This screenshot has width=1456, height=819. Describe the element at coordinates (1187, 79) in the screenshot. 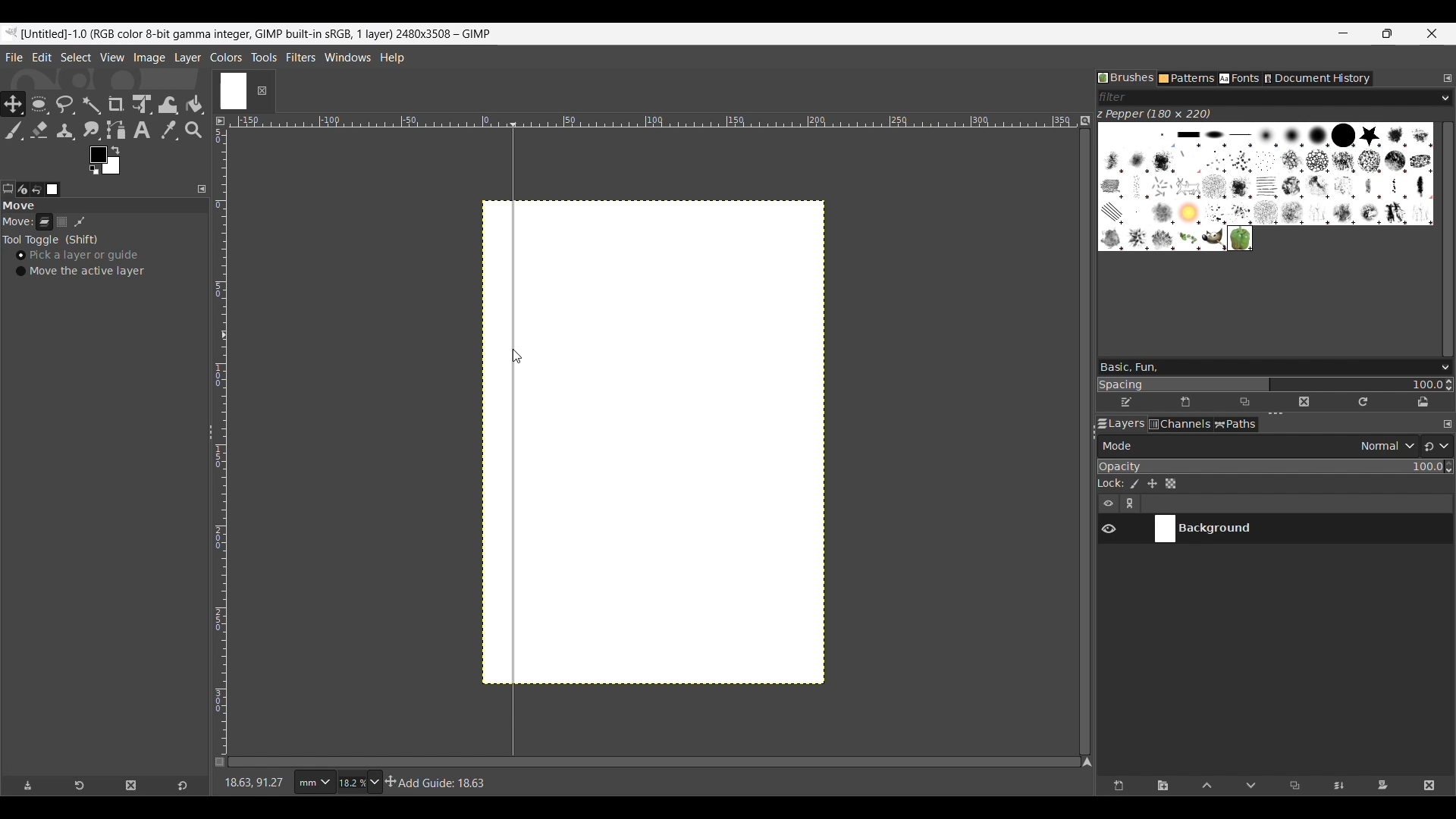

I see `Patterns tab` at that location.